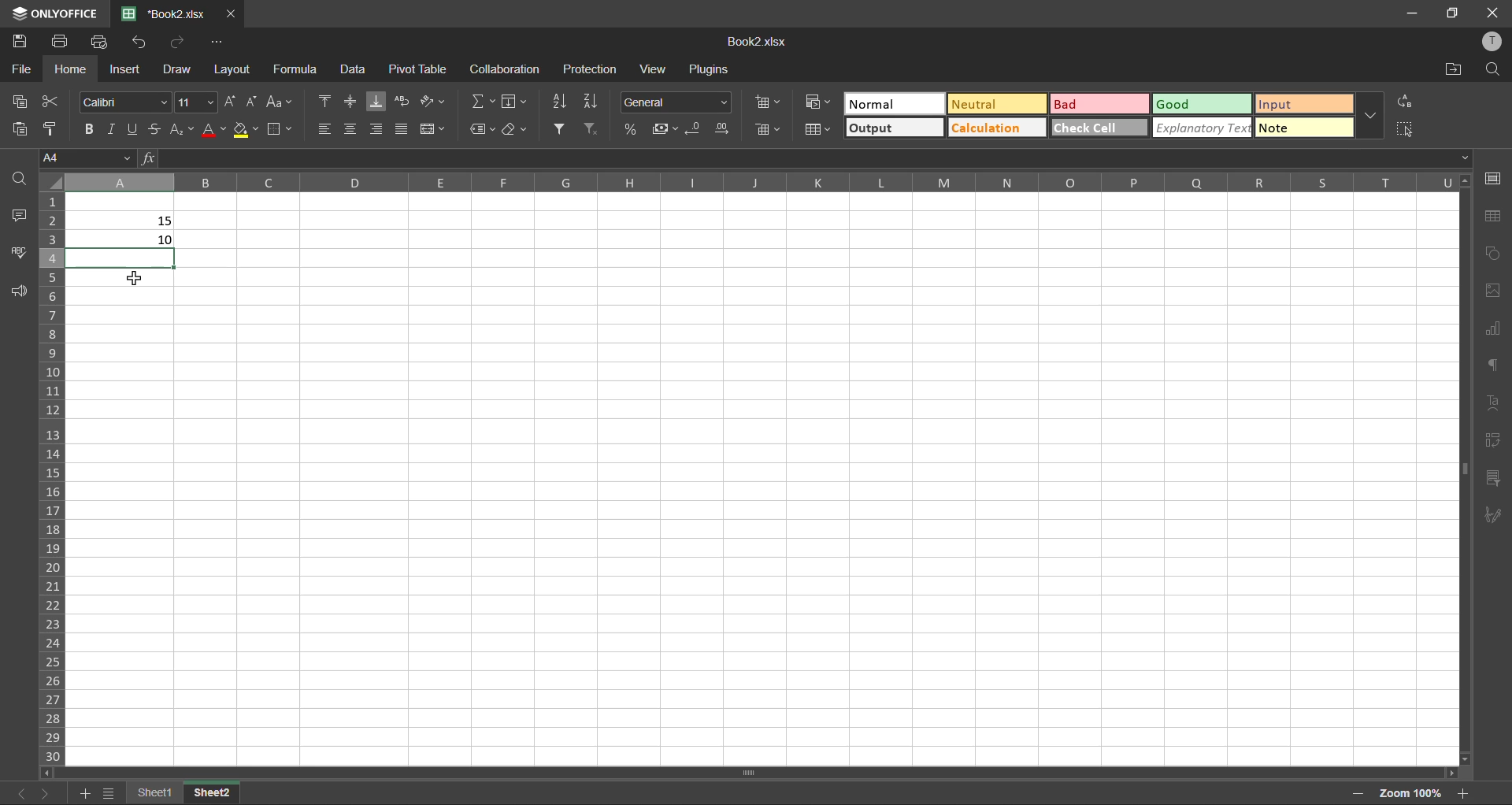  Describe the element at coordinates (87, 126) in the screenshot. I see `bold` at that location.